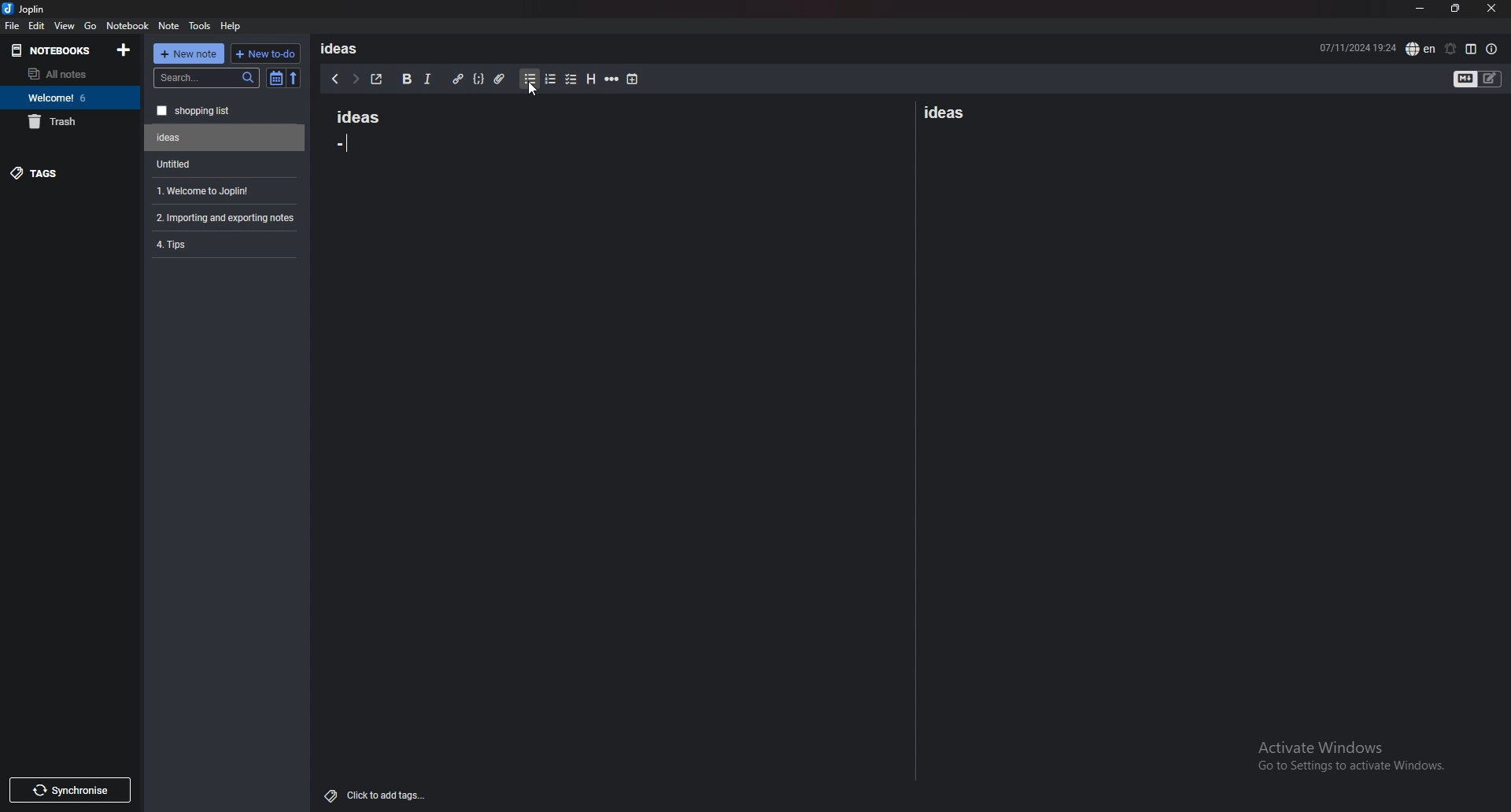  What do you see at coordinates (294, 79) in the screenshot?
I see `reverse sort order` at bounding box center [294, 79].